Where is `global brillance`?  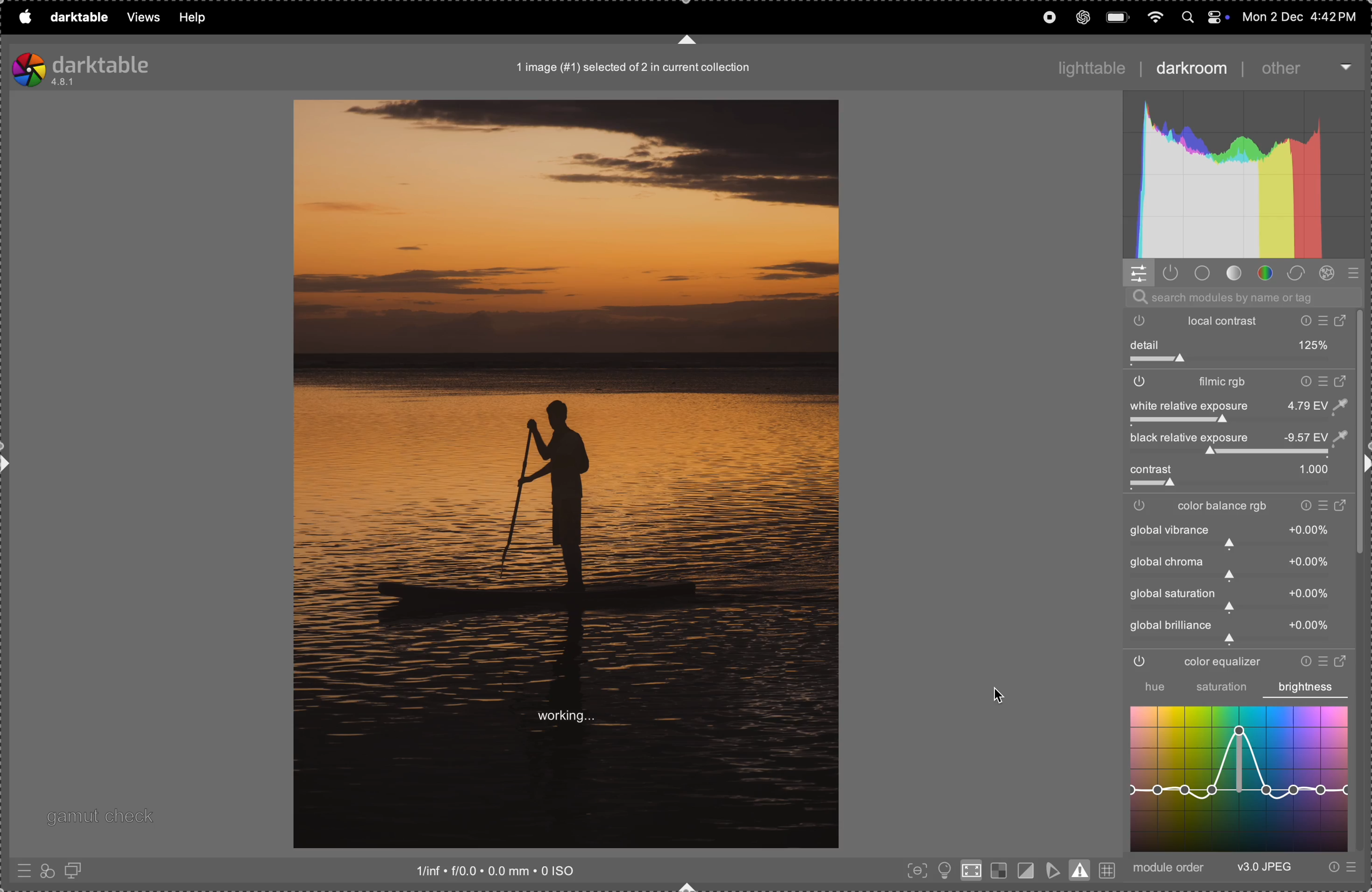
global brillance is located at coordinates (1232, 631).